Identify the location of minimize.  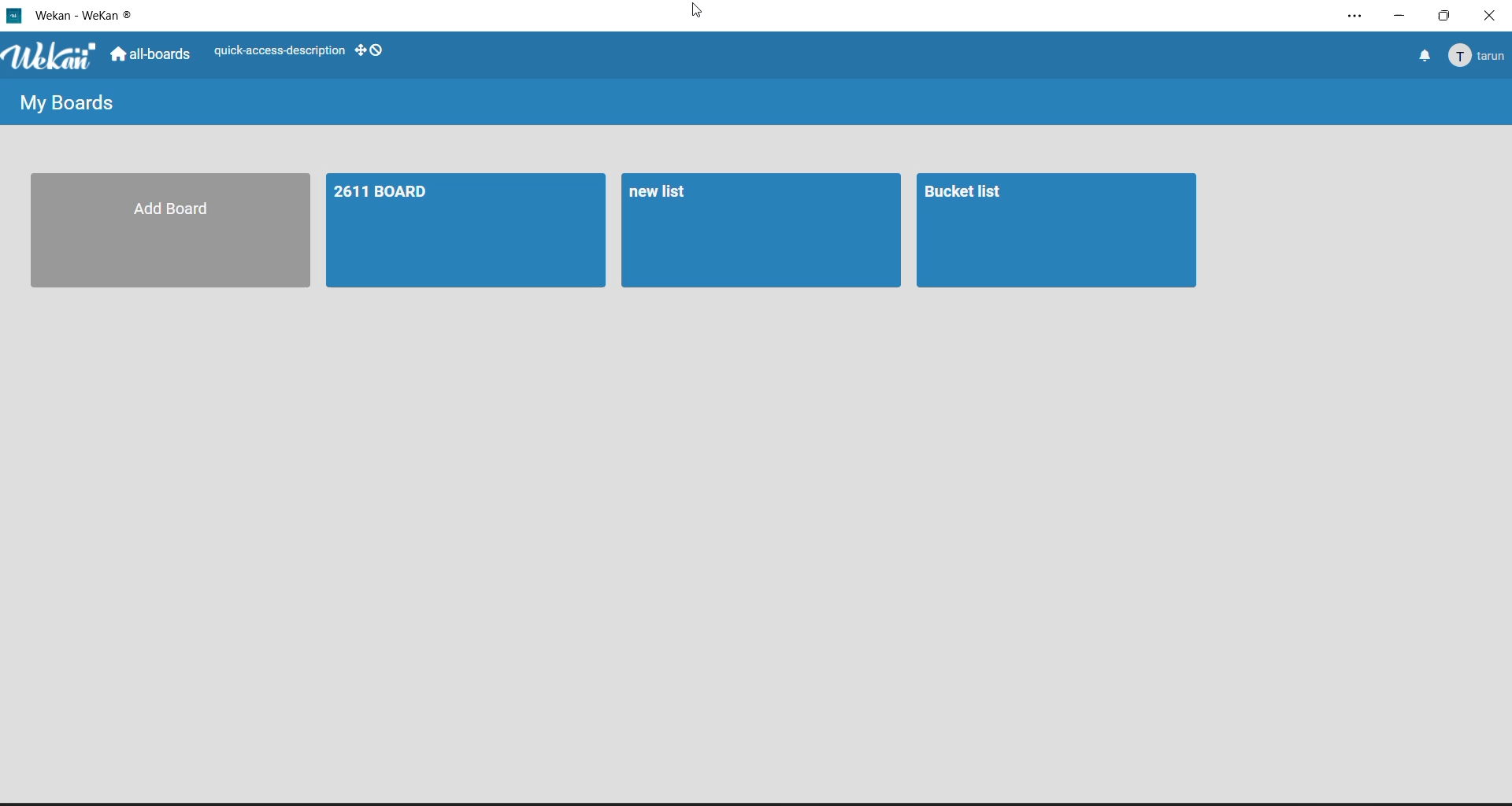
(1404, 15).